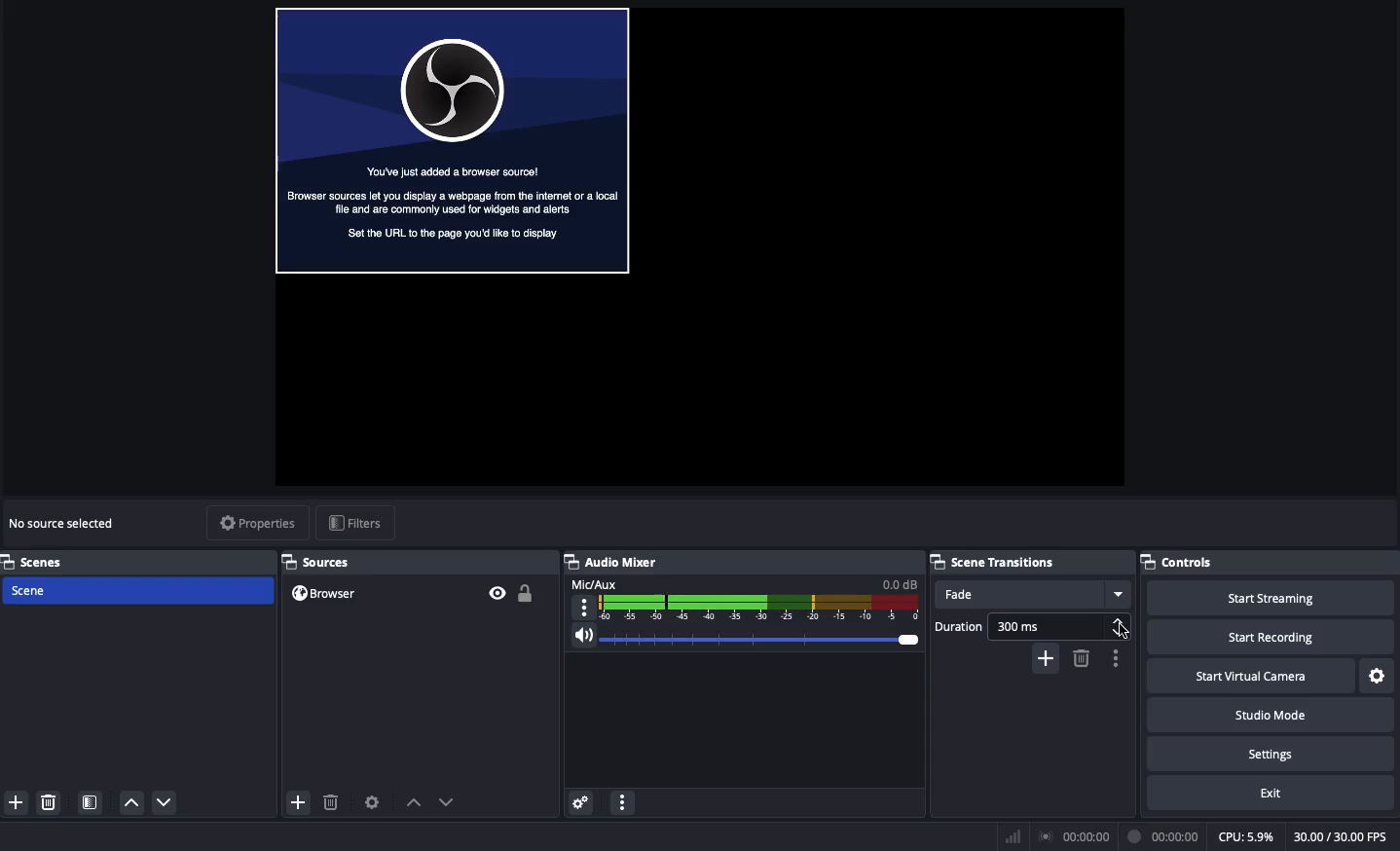 The height and width of the screenshot is (851, 1400). Describe the element at coordinates (317, 562) in the screenshot. I see `Sources` at that location.